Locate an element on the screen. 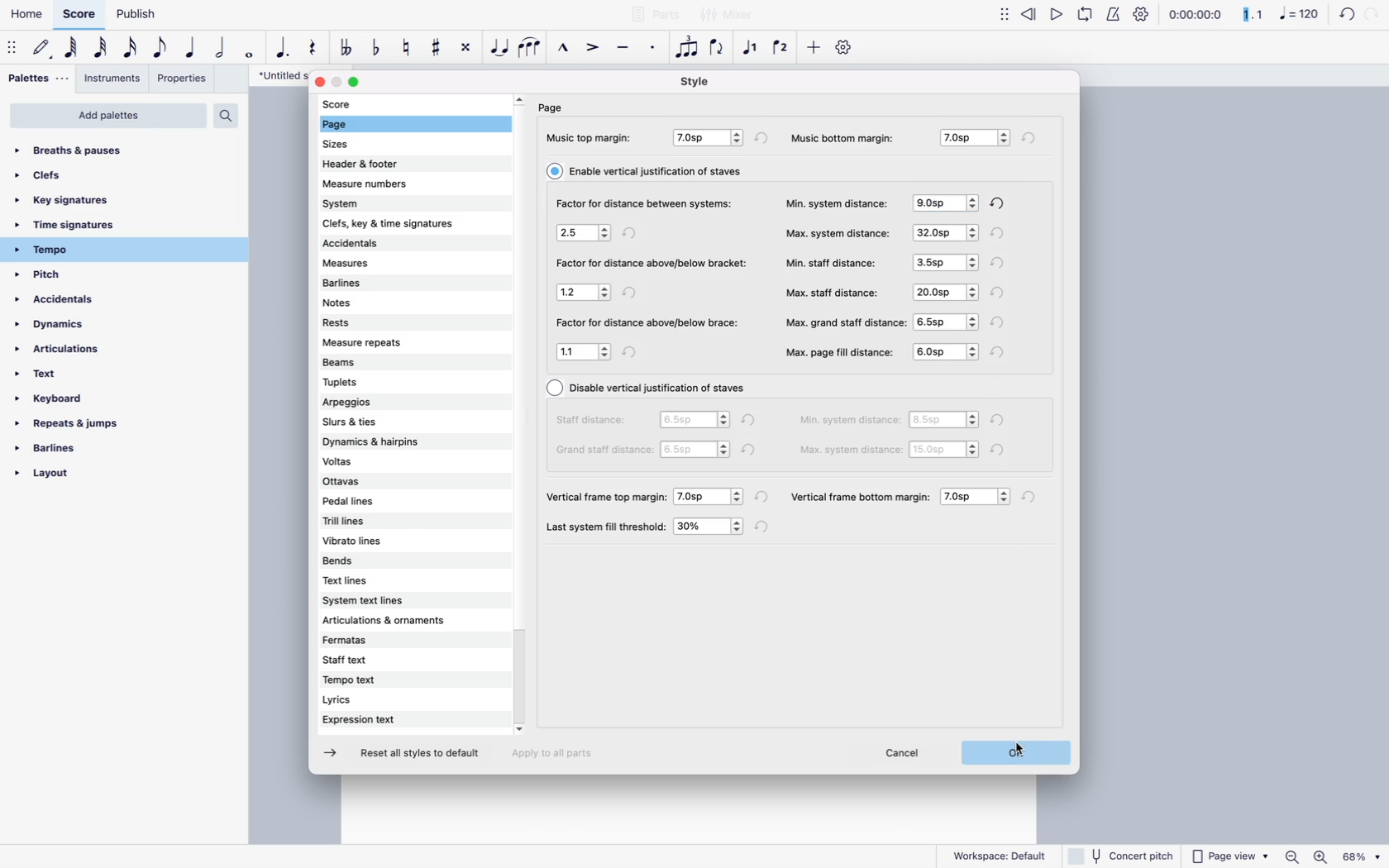 The height and width of the screenshot is (868, 1389). refresh is located at coordinates (1000, 351).